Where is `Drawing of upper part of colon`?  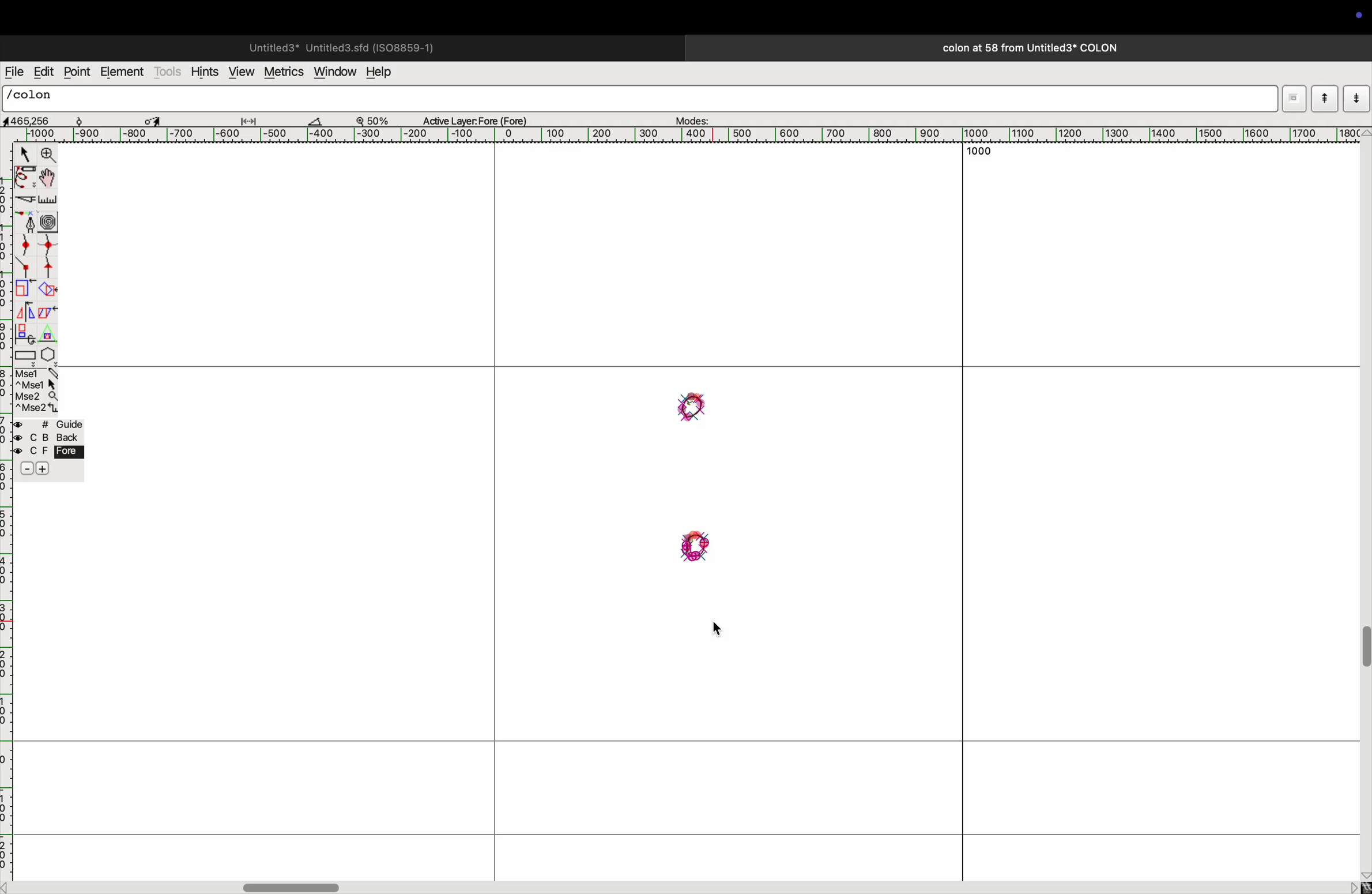 Drawing of upper part of colon is located at coordinates (692, 407).